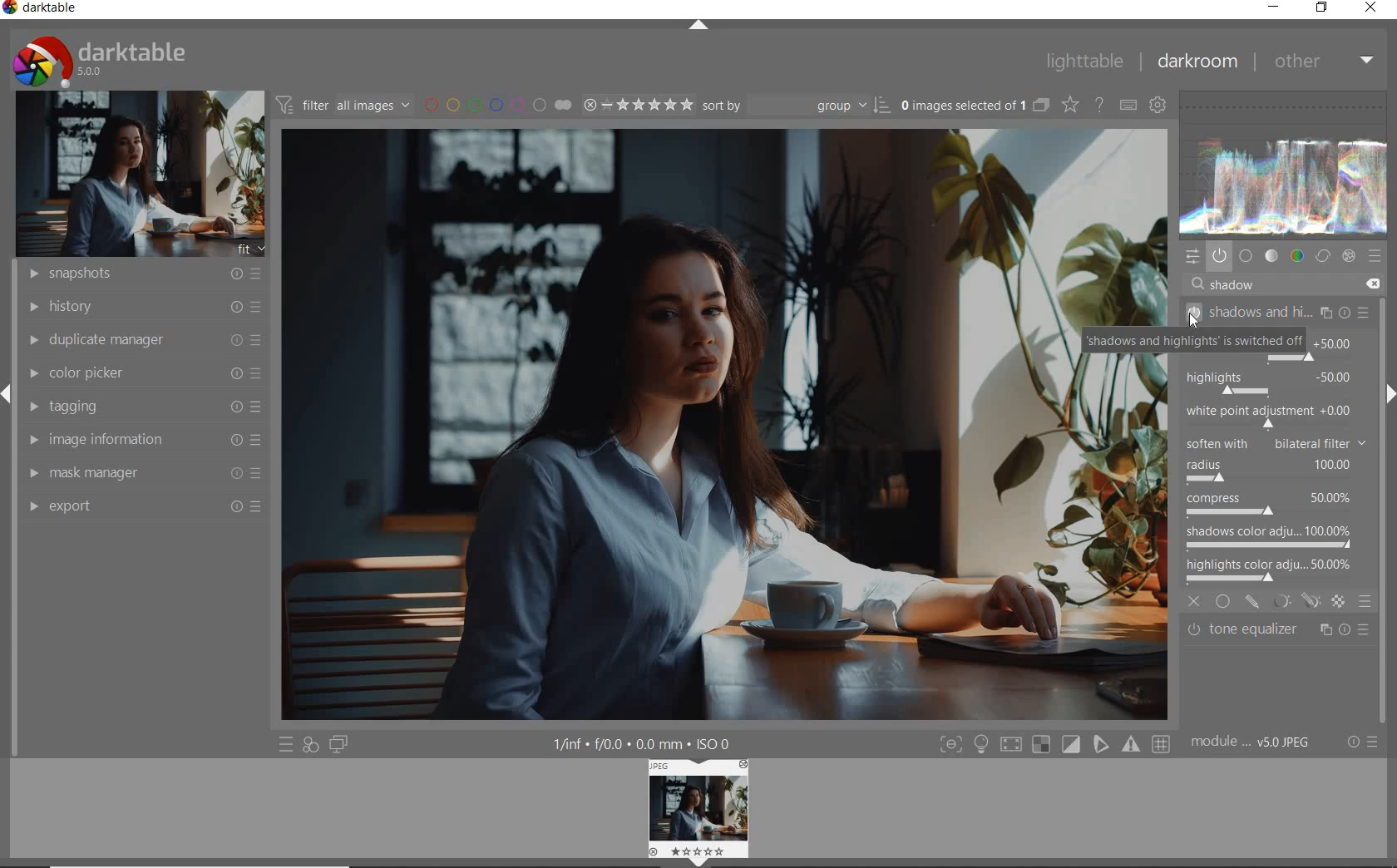 The width and height of the screenshot is (1397, 868). I want to click on duplicate manager, so click(141, 340).